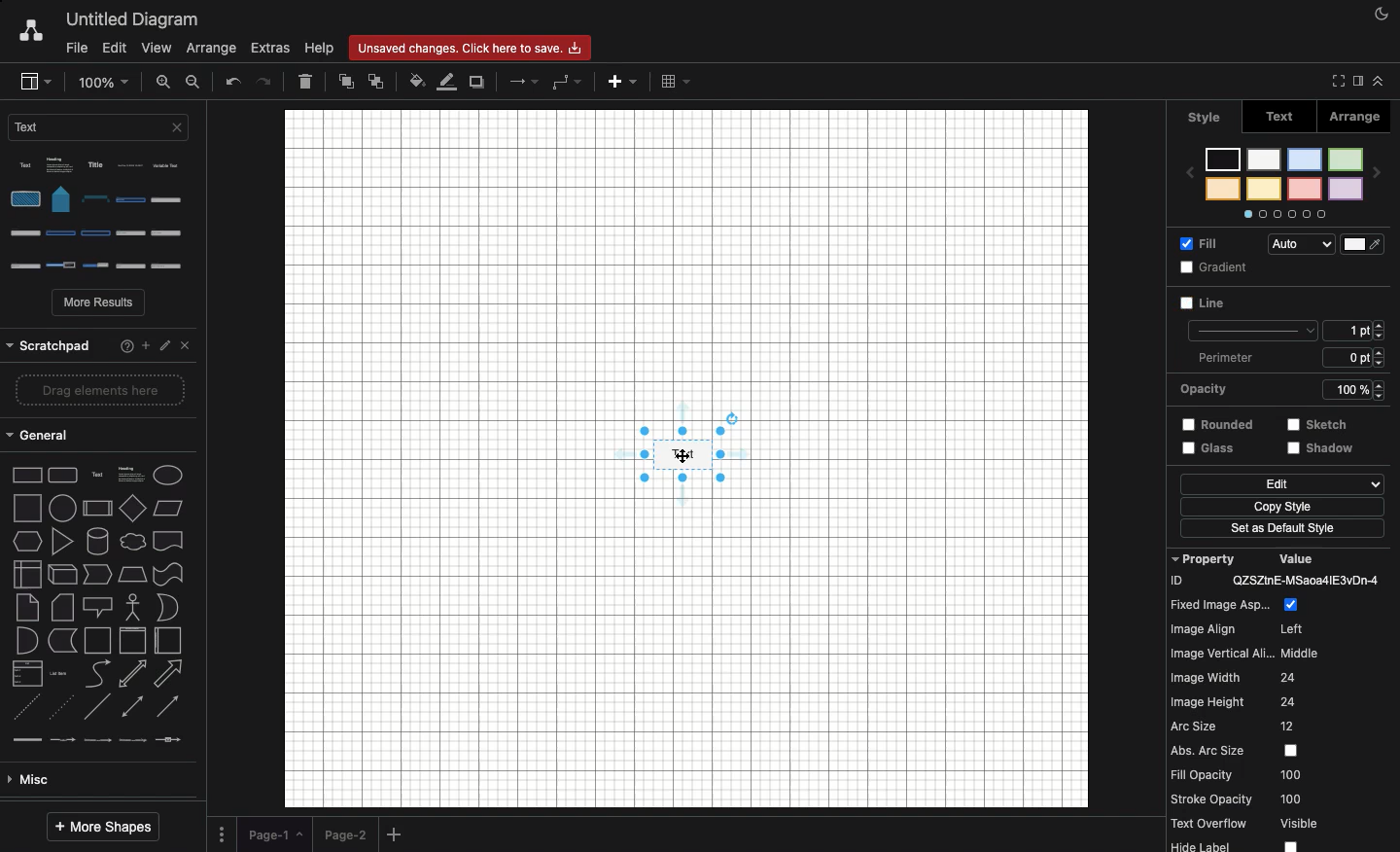 Image resolution: width=1400 pixels, height=852 pixels. Describe the element at coordinates (620, 85) in the screenshot. I see `Add` at that location.